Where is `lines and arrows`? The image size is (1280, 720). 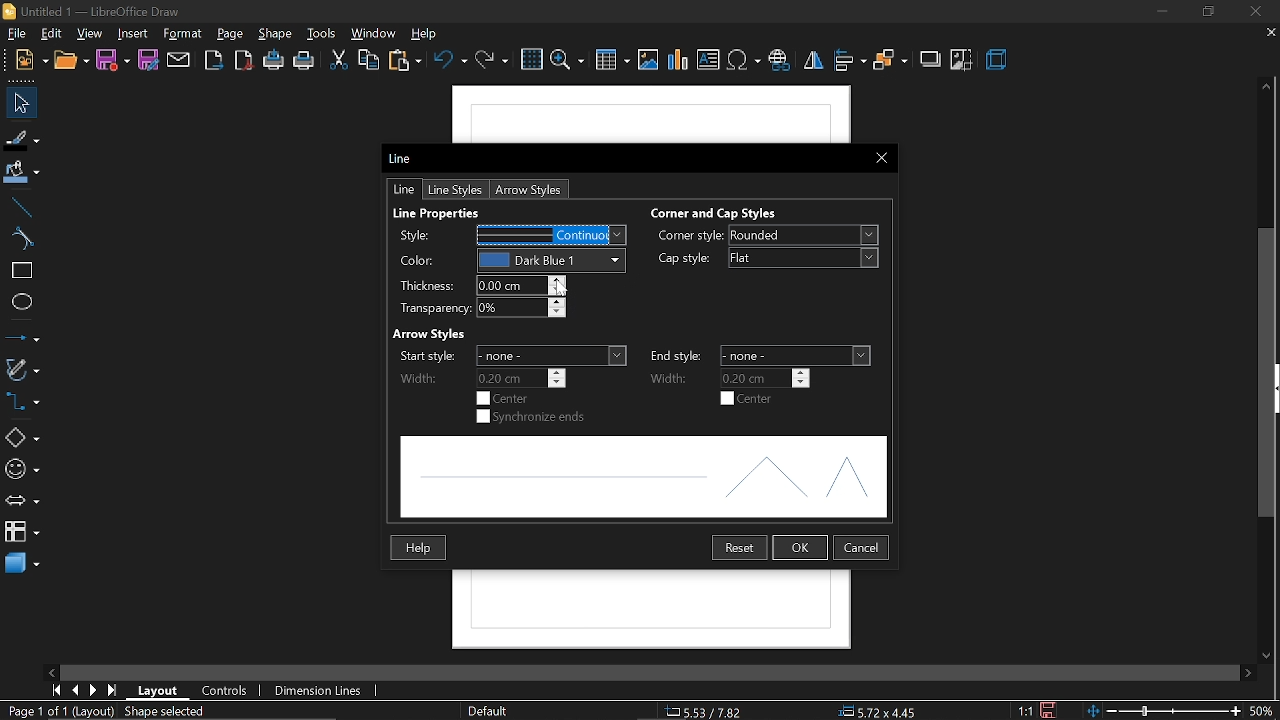 lines and arrows is located at coordinates (22, 337).